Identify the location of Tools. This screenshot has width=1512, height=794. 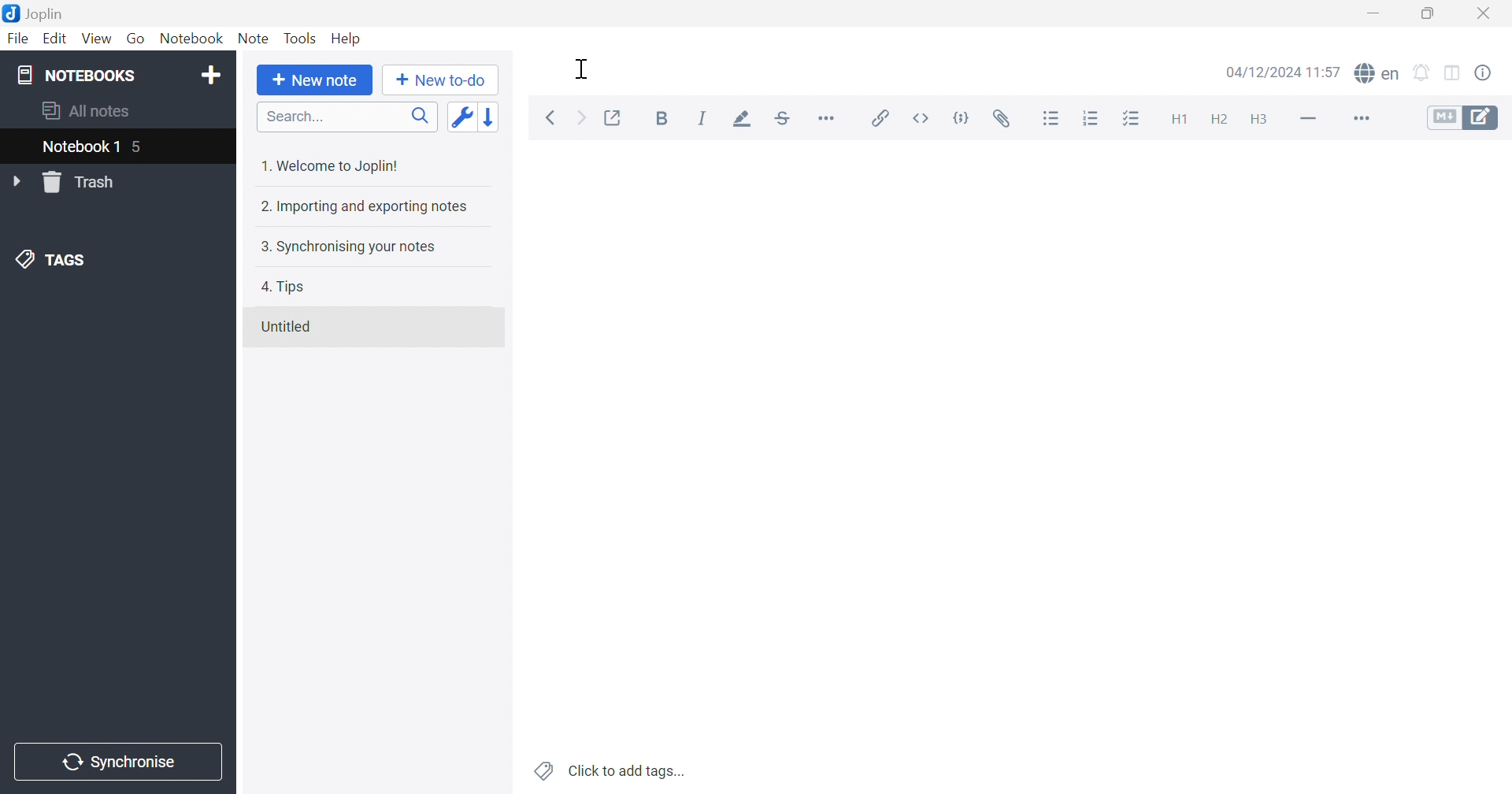
(301, 38).